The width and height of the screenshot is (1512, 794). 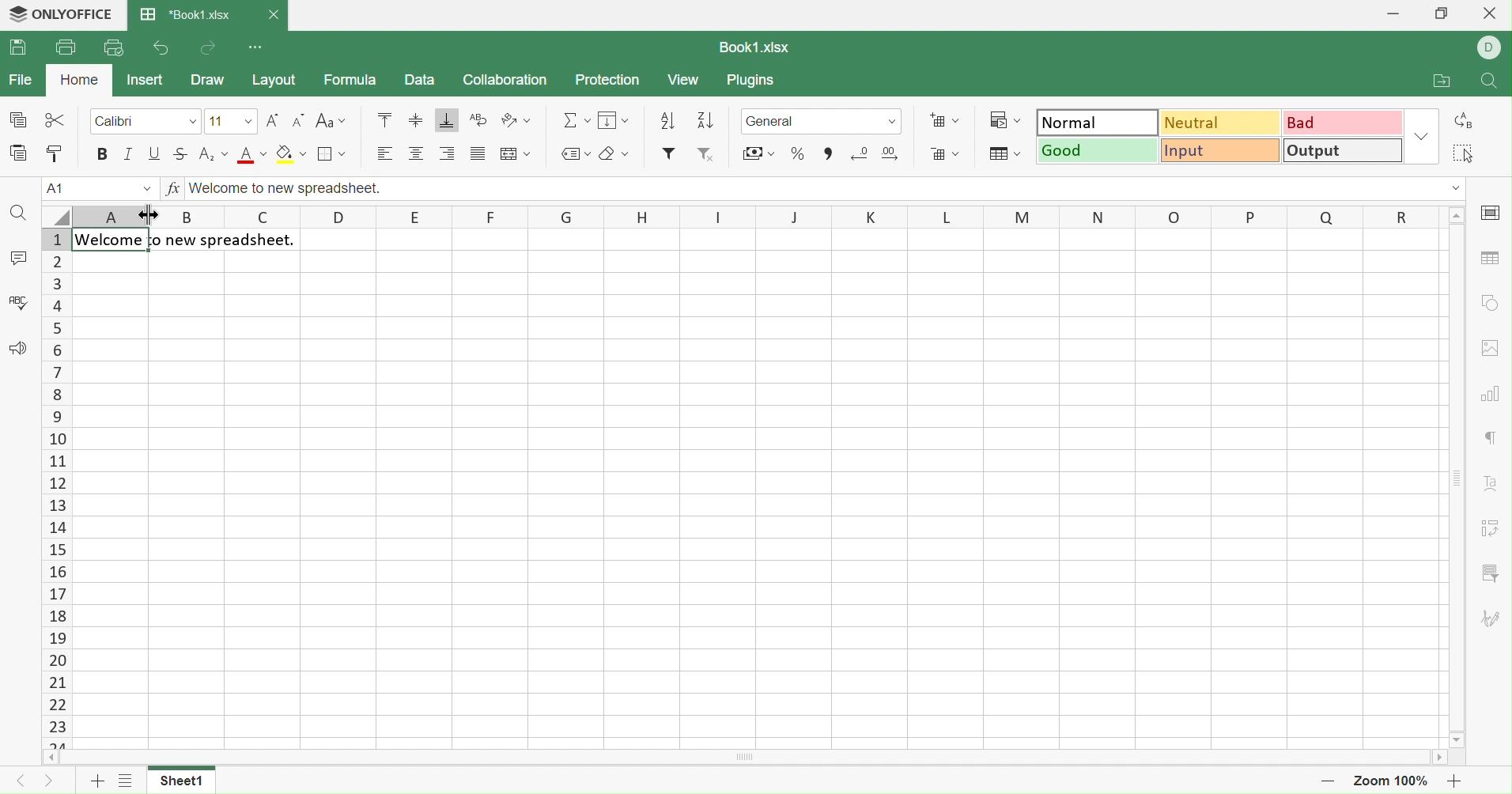 I want to click on Cut, so click(x=54, y=117).